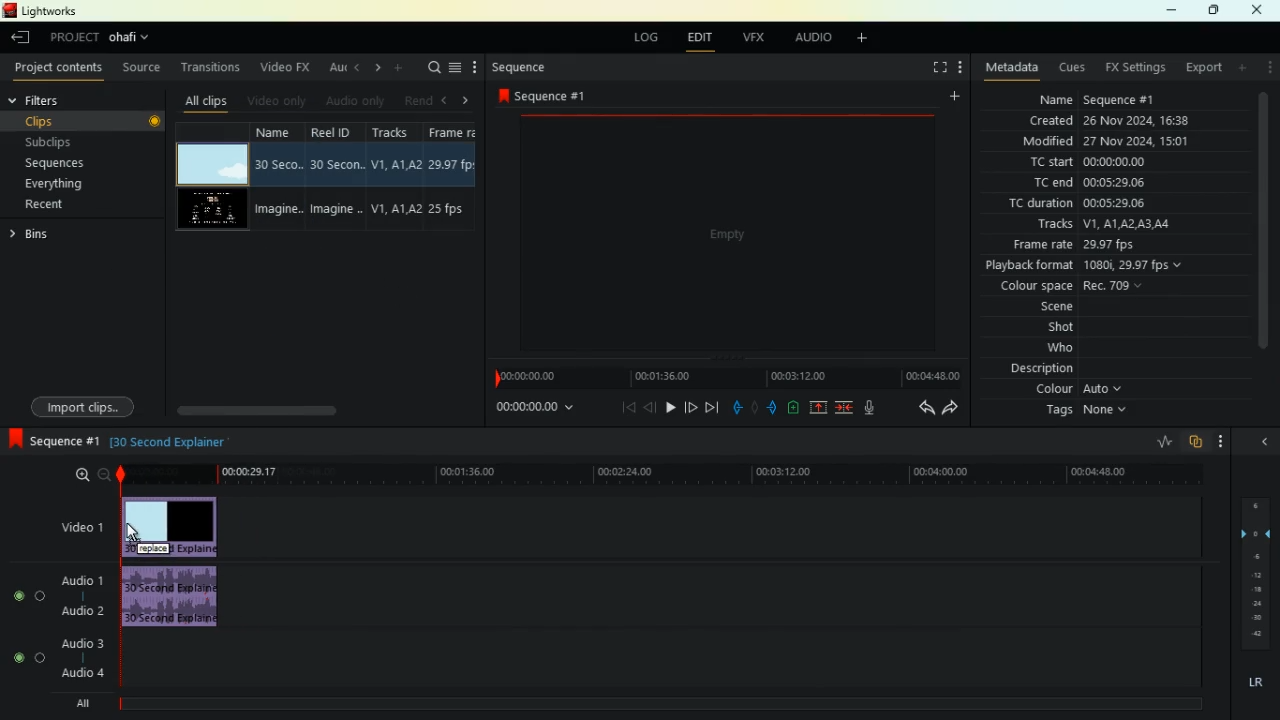 This screenshot has width=1280, height=720. Describe the element at coordinates (1112, 141) in the screenshot. I see `modified 27 Nov 2024, 15:01` at that location.